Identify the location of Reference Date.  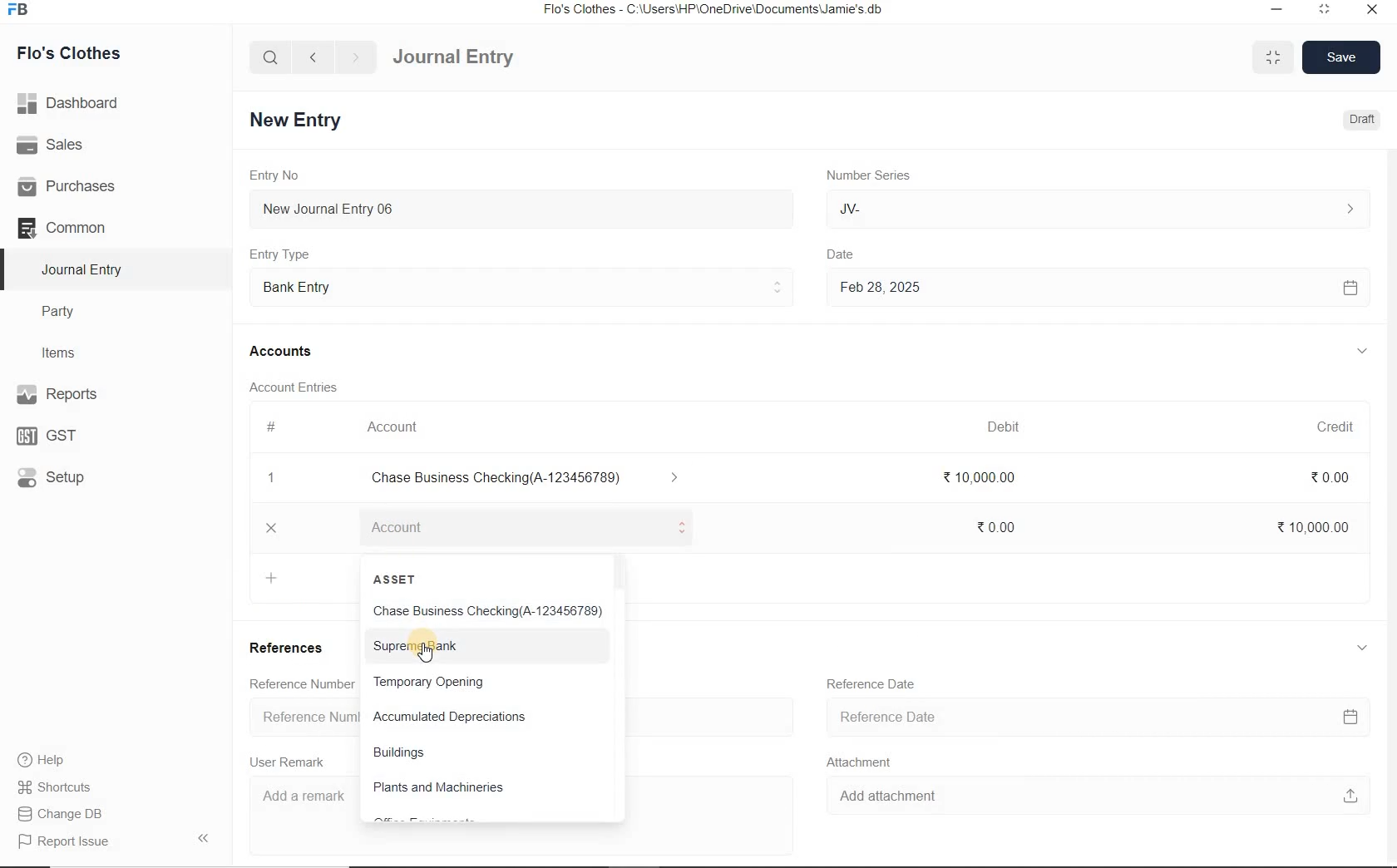
(1103, 718).